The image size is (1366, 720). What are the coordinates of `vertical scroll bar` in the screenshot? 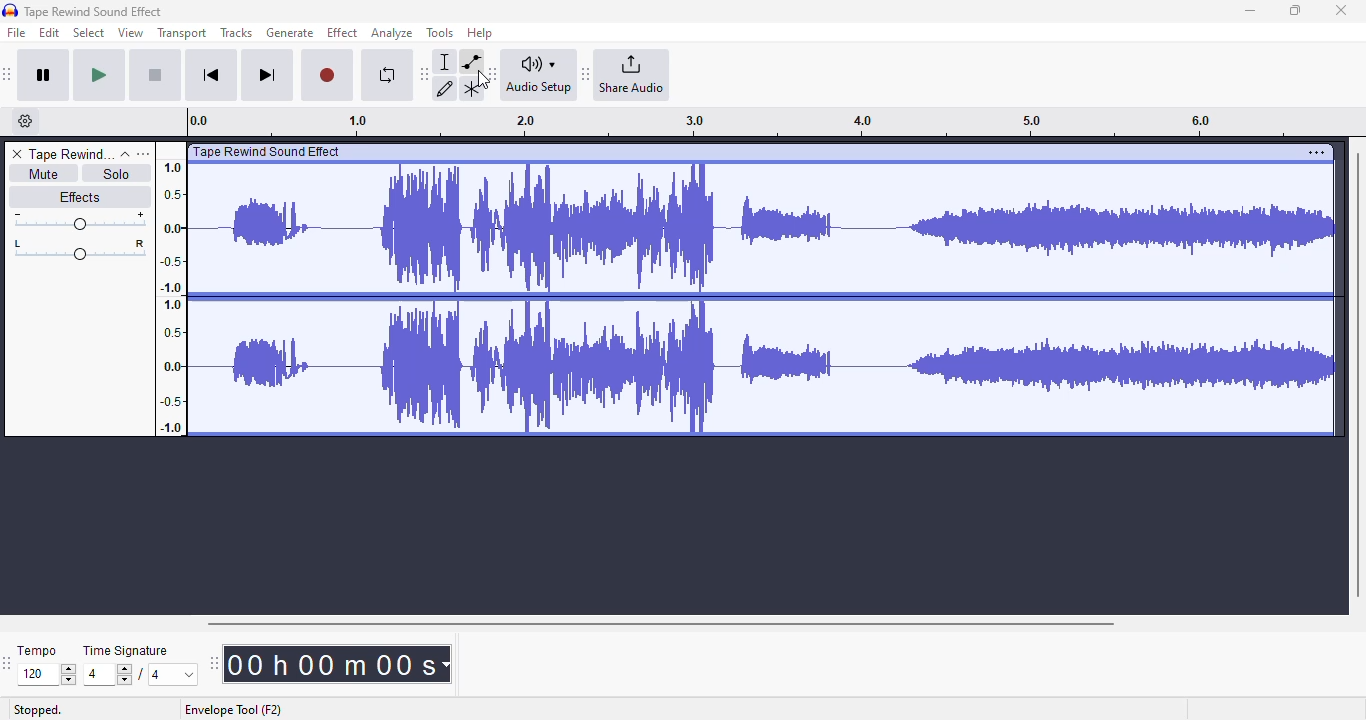 It's located at (1357, 372).